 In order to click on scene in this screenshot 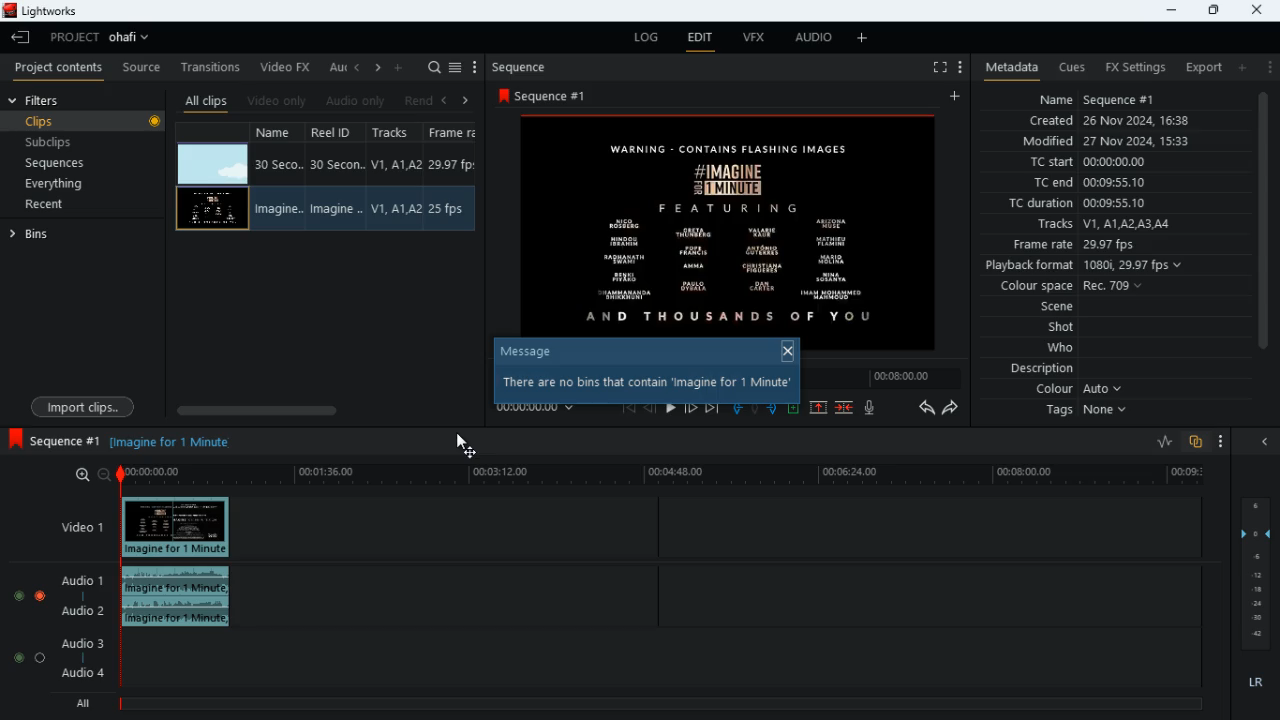, I will do `click(1047, 307)`.